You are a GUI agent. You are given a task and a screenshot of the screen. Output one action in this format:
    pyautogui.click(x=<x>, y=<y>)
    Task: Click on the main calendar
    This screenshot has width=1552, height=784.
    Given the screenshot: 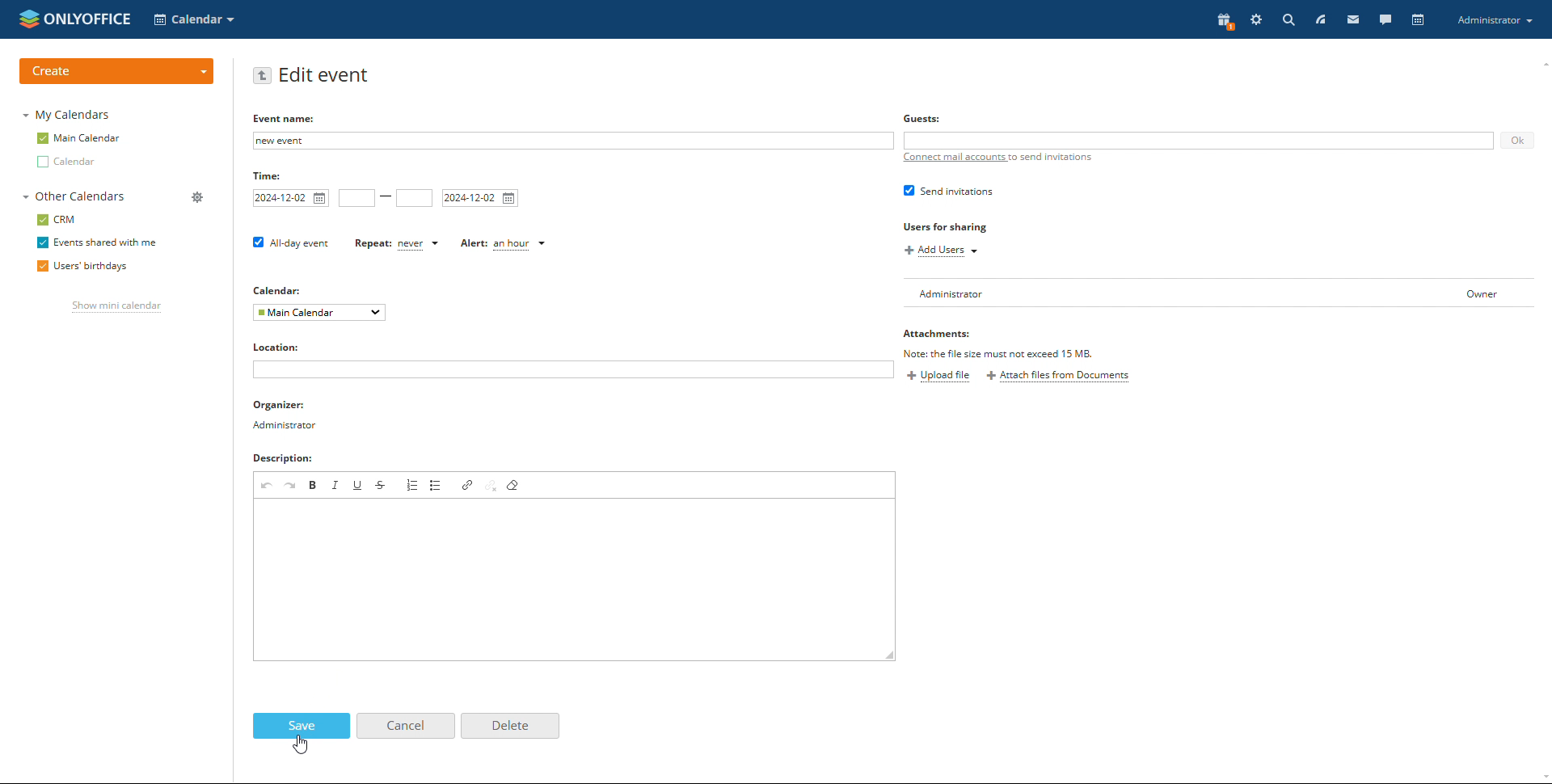 What is the action you would take?
    pyautogui.click(x=78, y=138)
    